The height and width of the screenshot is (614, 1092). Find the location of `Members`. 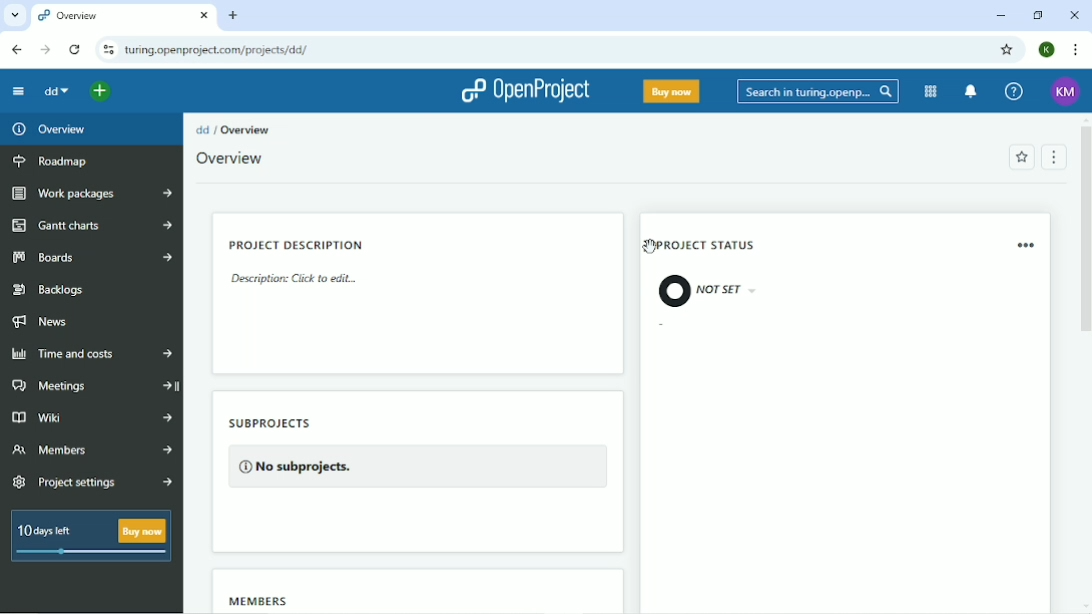

Members is located at coordinates (92, 450).